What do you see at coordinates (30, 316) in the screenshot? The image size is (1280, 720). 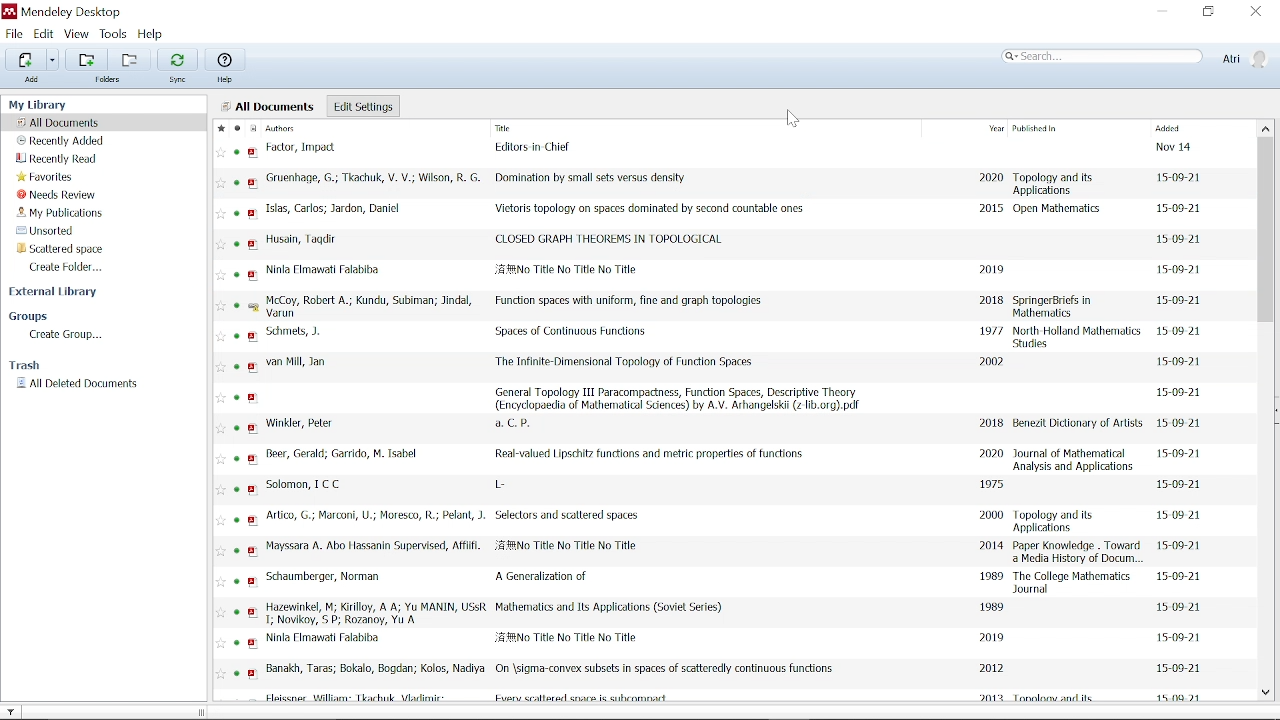 I see `Groups` at bounding box center [30, 316].